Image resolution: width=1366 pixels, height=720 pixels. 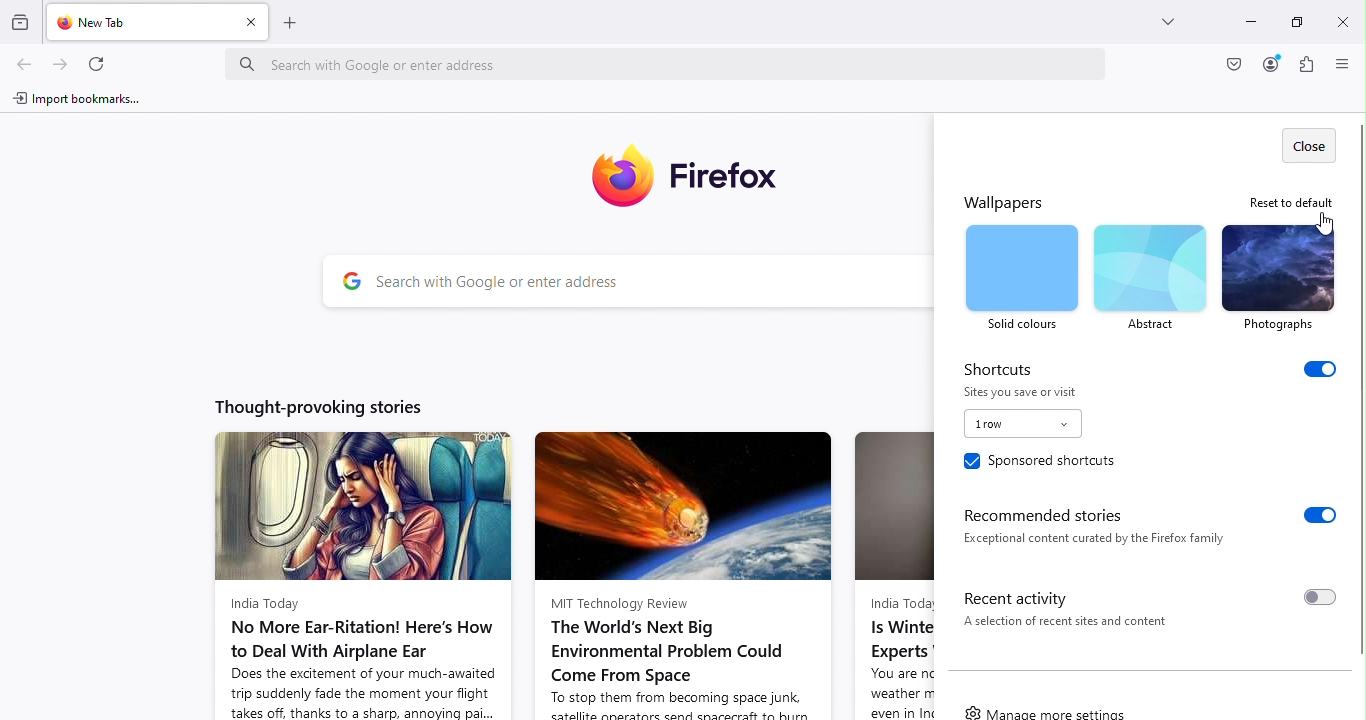 What do you see at coordinates (1029, 391) in the screenshot?
I see `sites` at bounding box center [1029, 391].